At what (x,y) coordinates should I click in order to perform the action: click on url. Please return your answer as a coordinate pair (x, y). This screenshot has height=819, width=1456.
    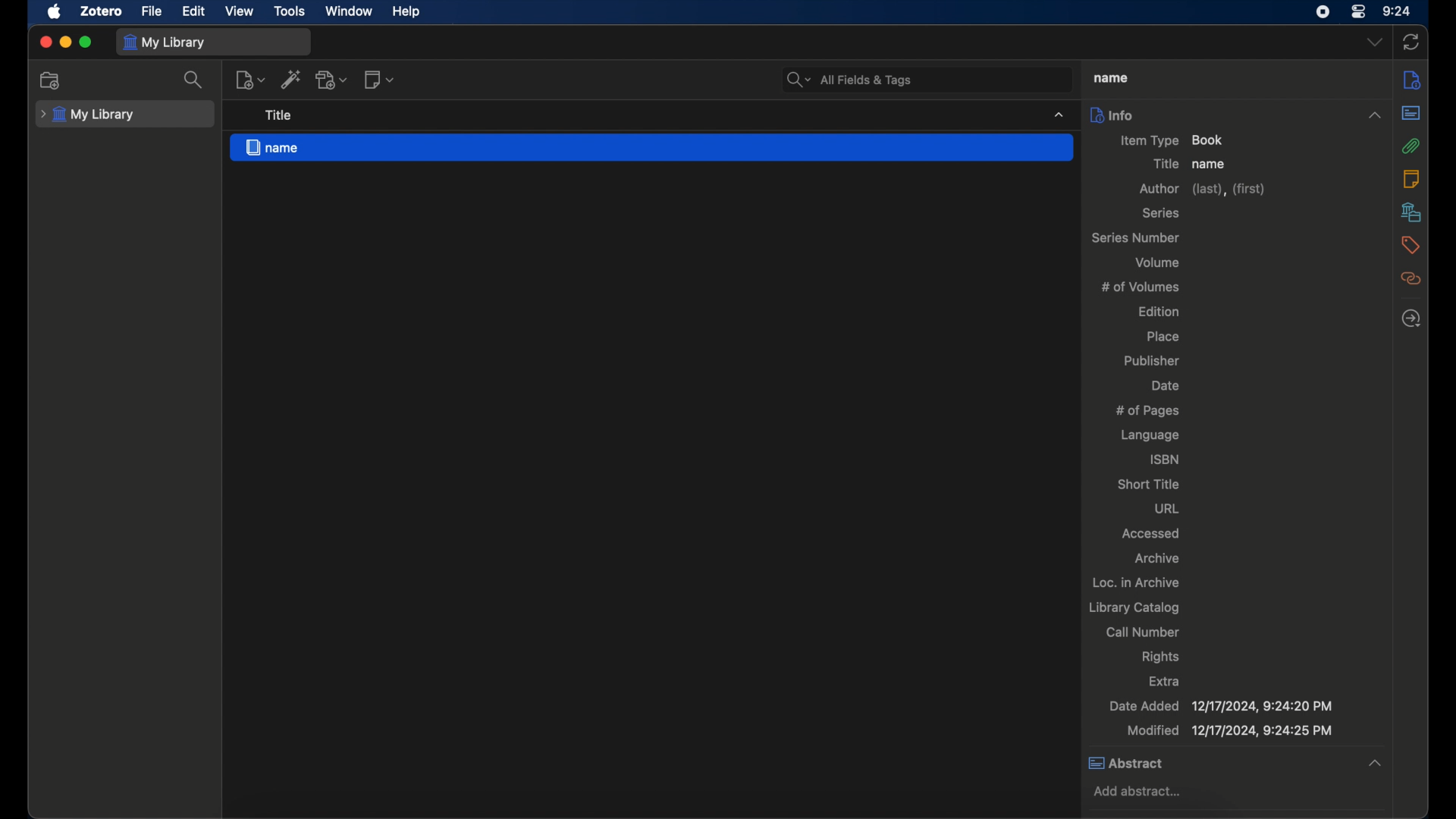
    Looking at the image, I should click on (1166, 509).